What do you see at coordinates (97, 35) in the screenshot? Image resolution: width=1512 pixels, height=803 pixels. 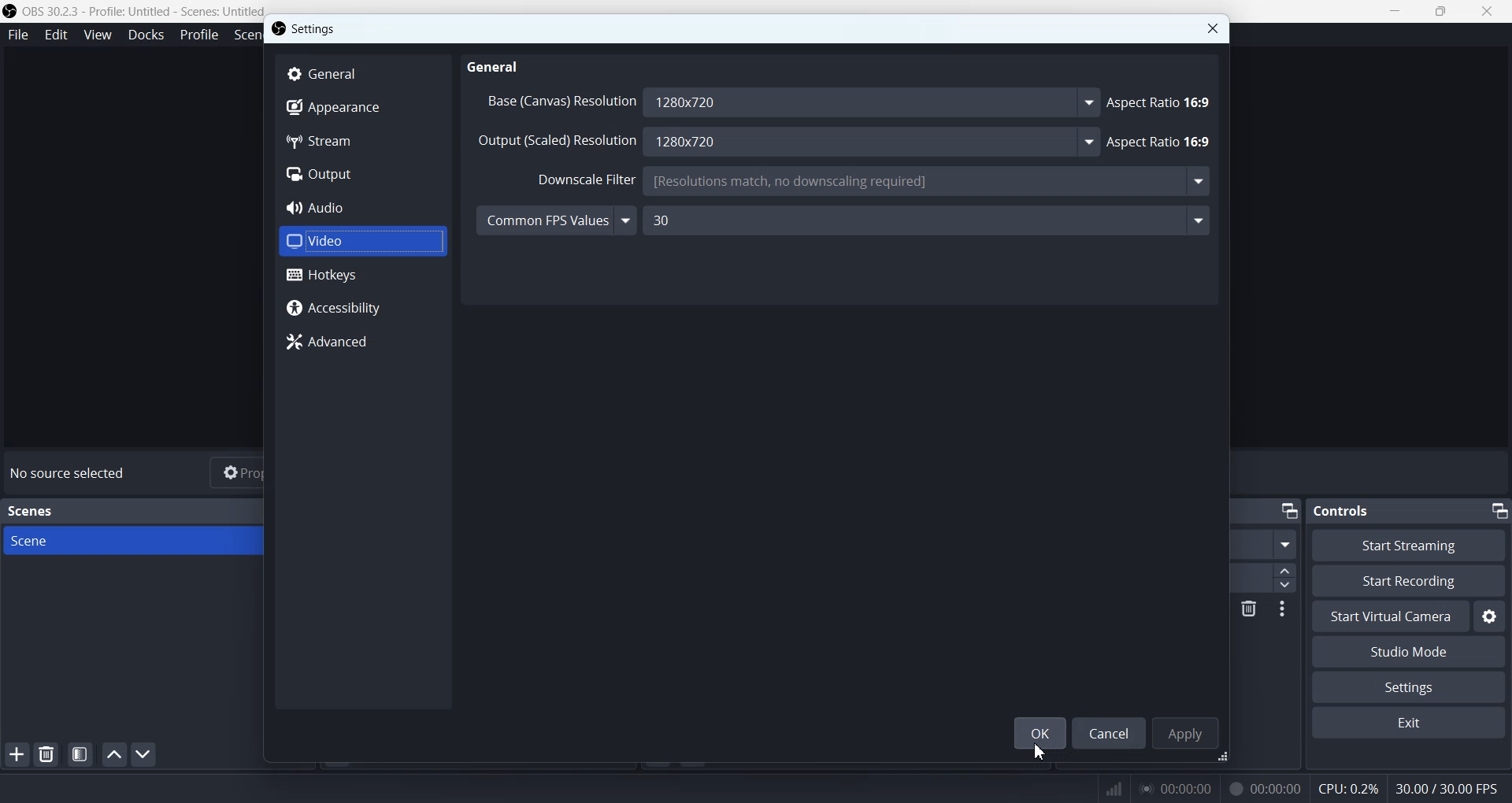 I see `View` at bounding box center [97, 35].